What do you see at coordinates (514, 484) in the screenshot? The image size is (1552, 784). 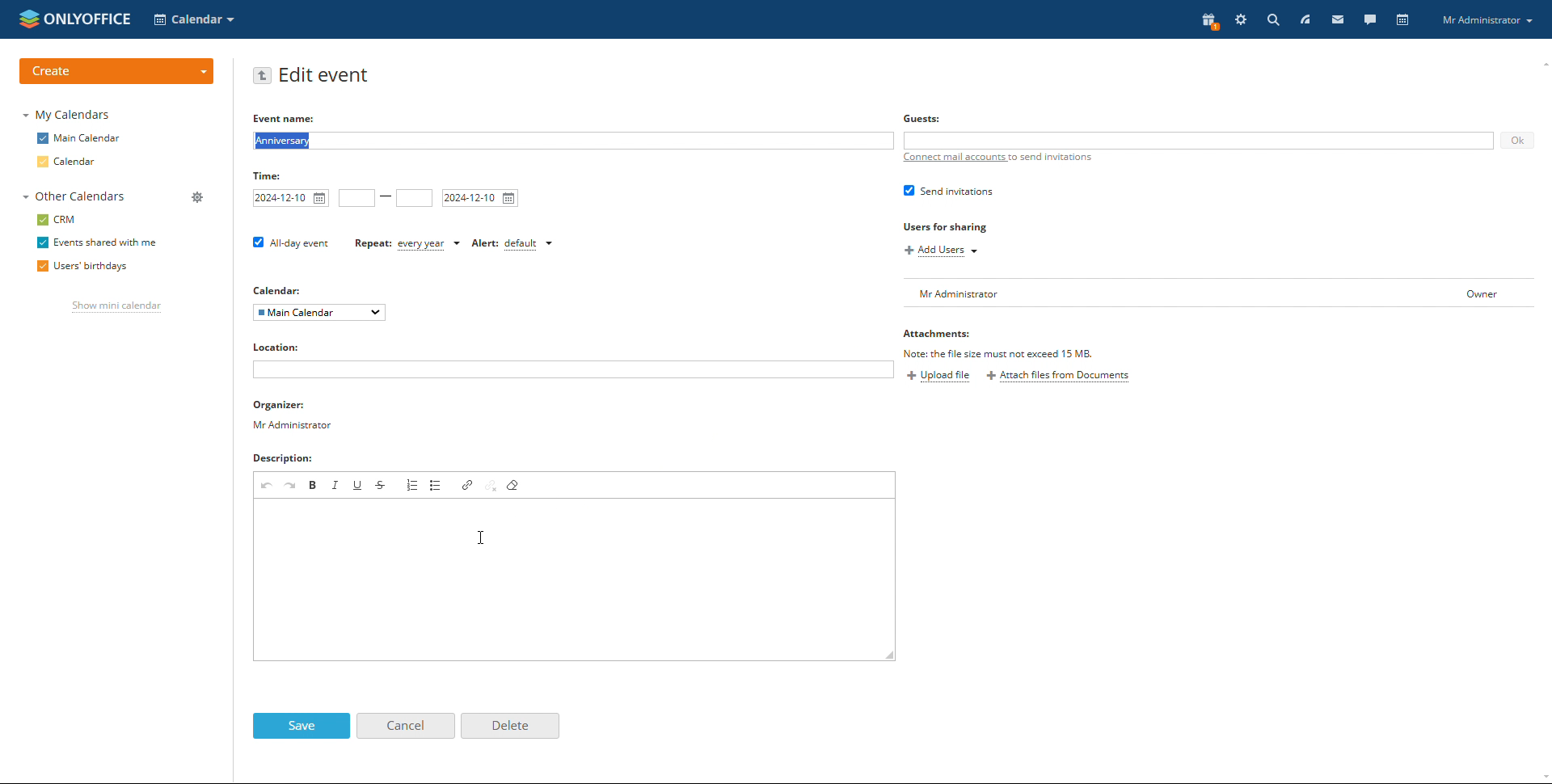 I see `remove format` at bounding box center [514, 484].